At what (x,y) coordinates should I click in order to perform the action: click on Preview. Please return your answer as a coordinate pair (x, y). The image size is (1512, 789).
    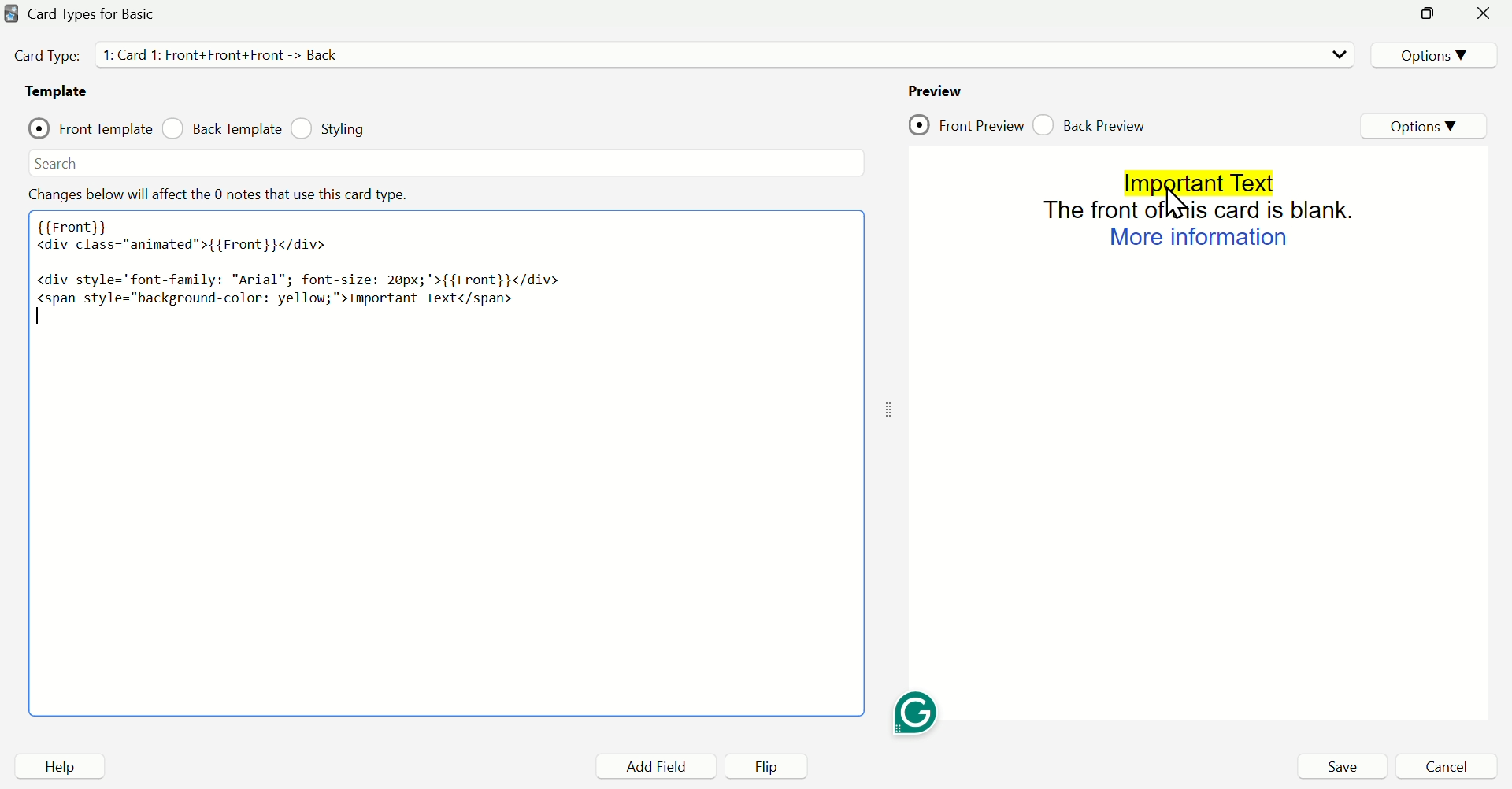
    Looking at the image, I should click on (936, 91).